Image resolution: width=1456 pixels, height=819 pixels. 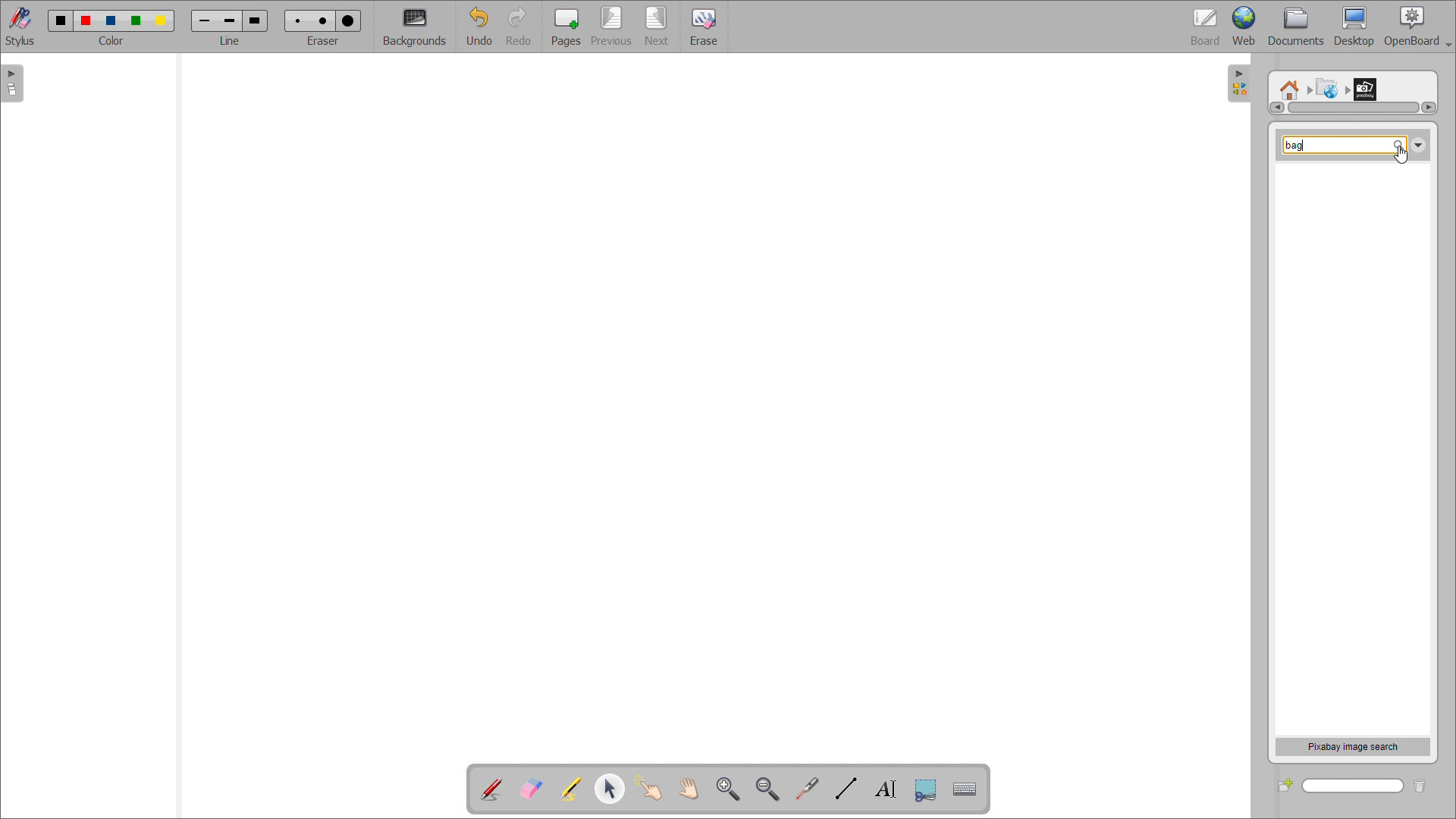 What do you see at coordinates (703, 400) in the screenshot?
I see `board space` at bounding box center [703, 400].